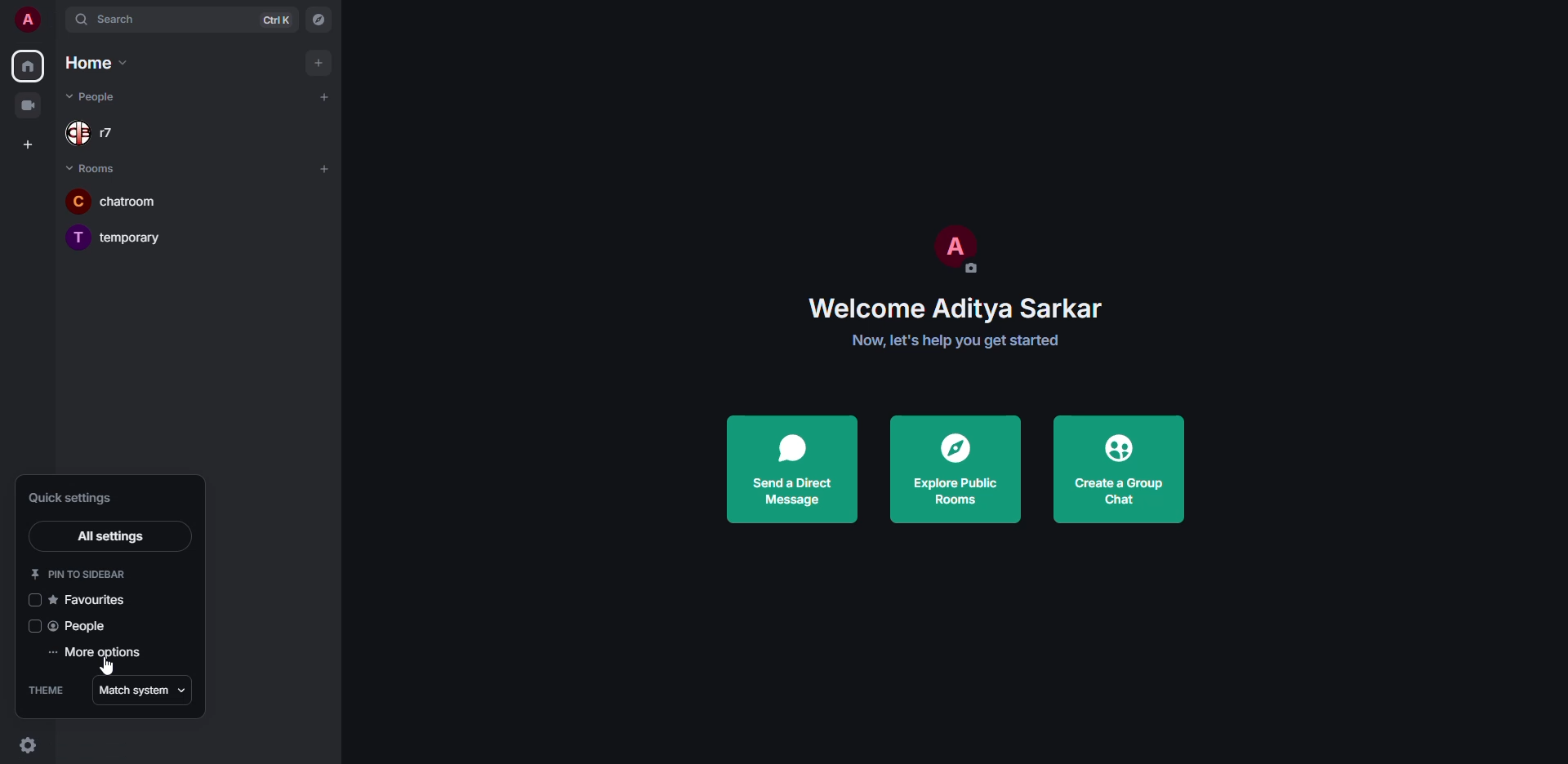 The width and height of the screenshot is (1568, 764). Describe the element at coordinates (96, 655) in the screenshot. I see `more options` at that location.